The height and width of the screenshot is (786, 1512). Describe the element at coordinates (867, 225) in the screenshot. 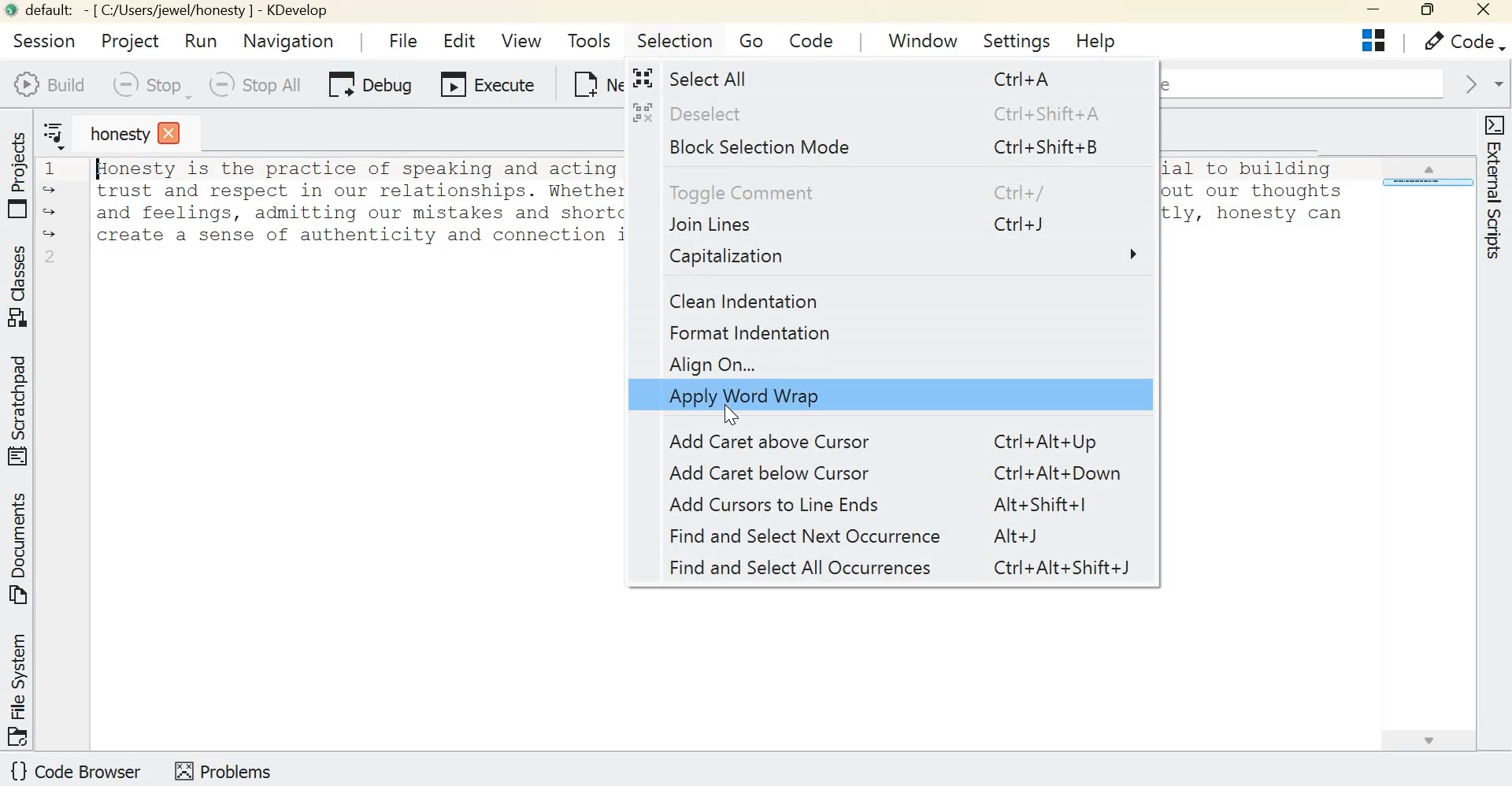

I see `Join lines` at that location.